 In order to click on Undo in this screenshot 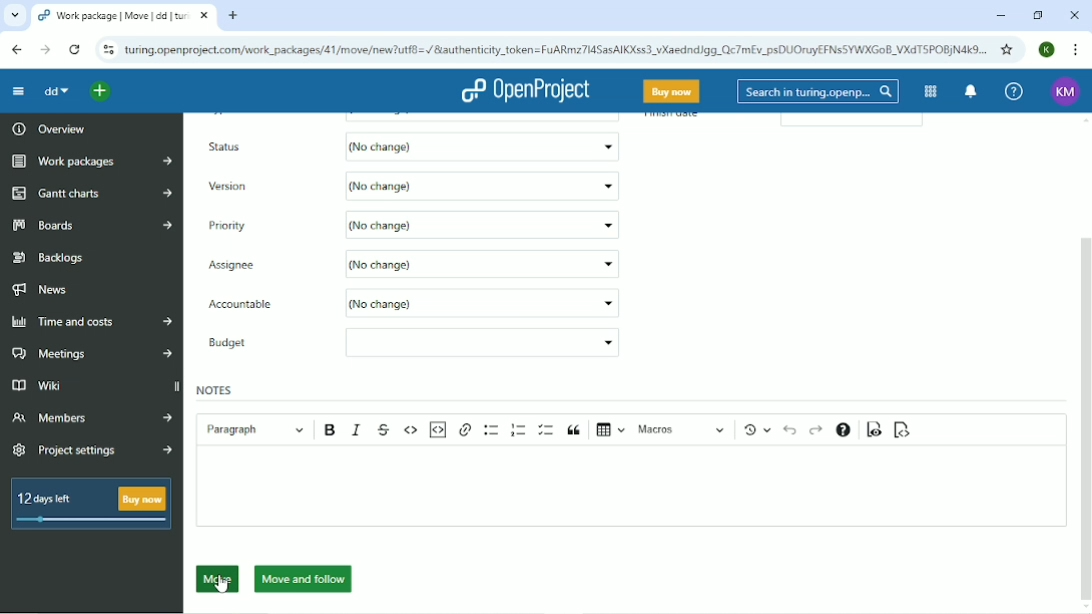, I will do `click(788, 429)`.